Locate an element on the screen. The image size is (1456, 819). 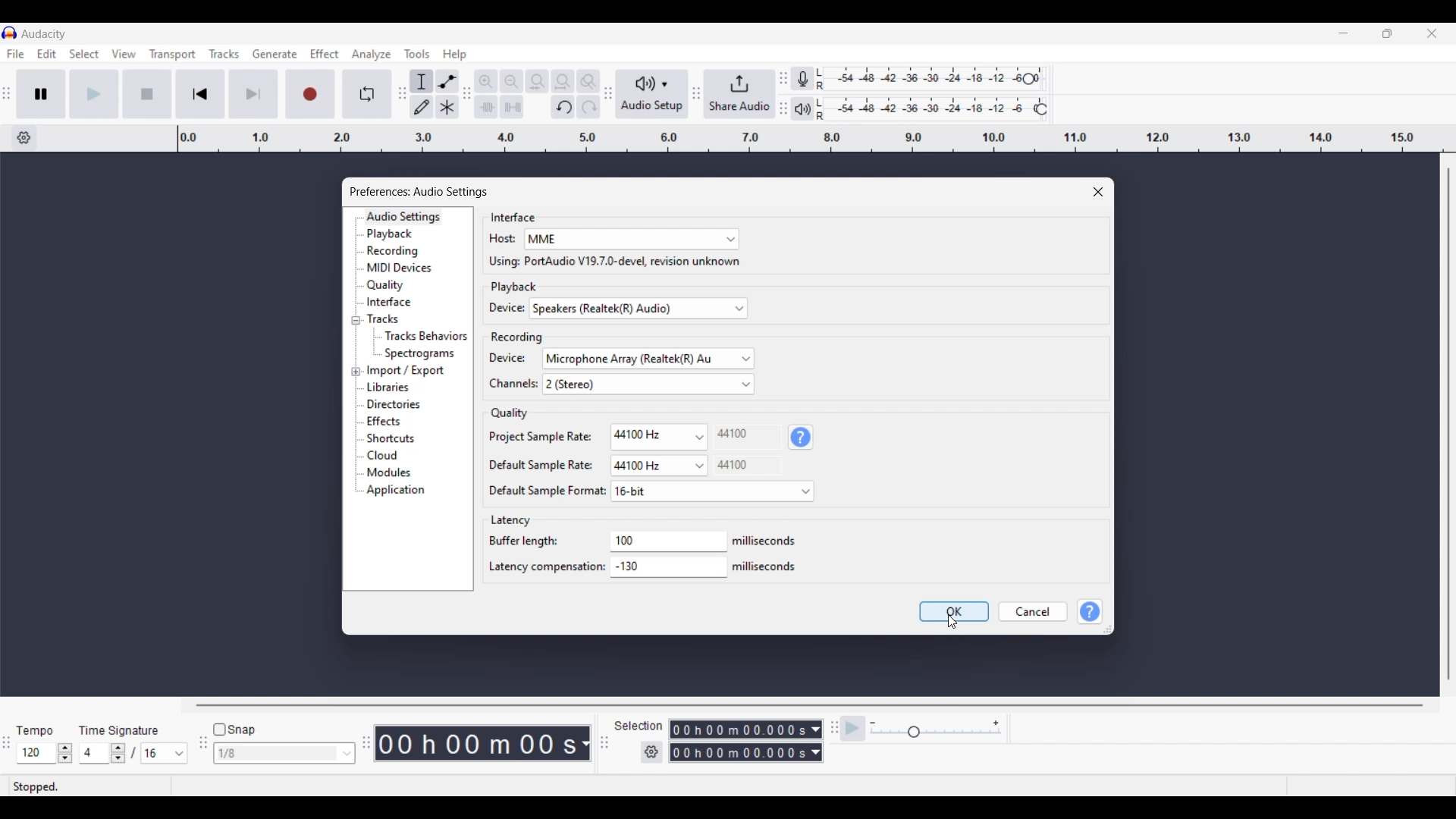
Quality is located at coordinates (404, 285).